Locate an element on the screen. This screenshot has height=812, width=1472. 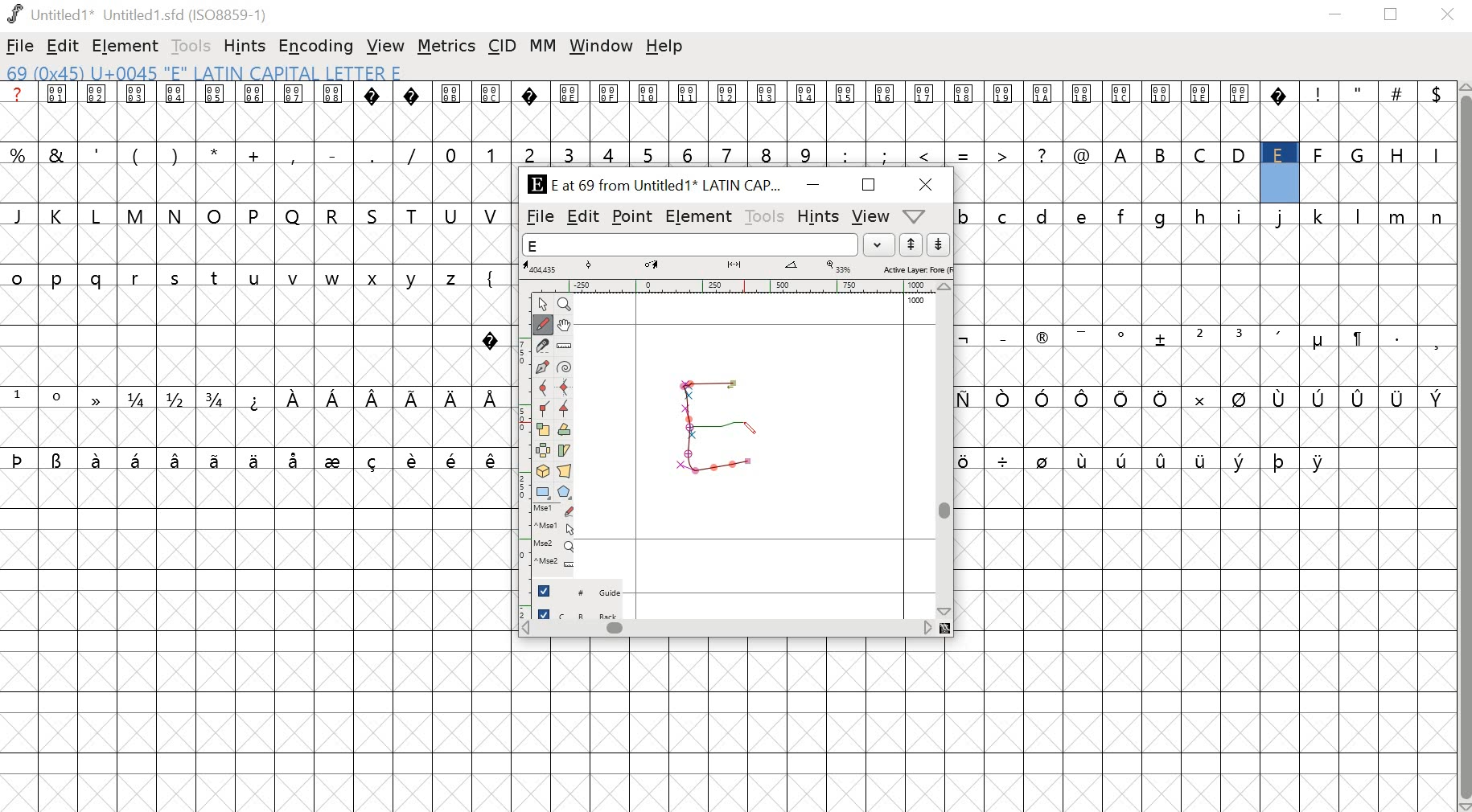
guide layer is located at coordinates (578, 594).